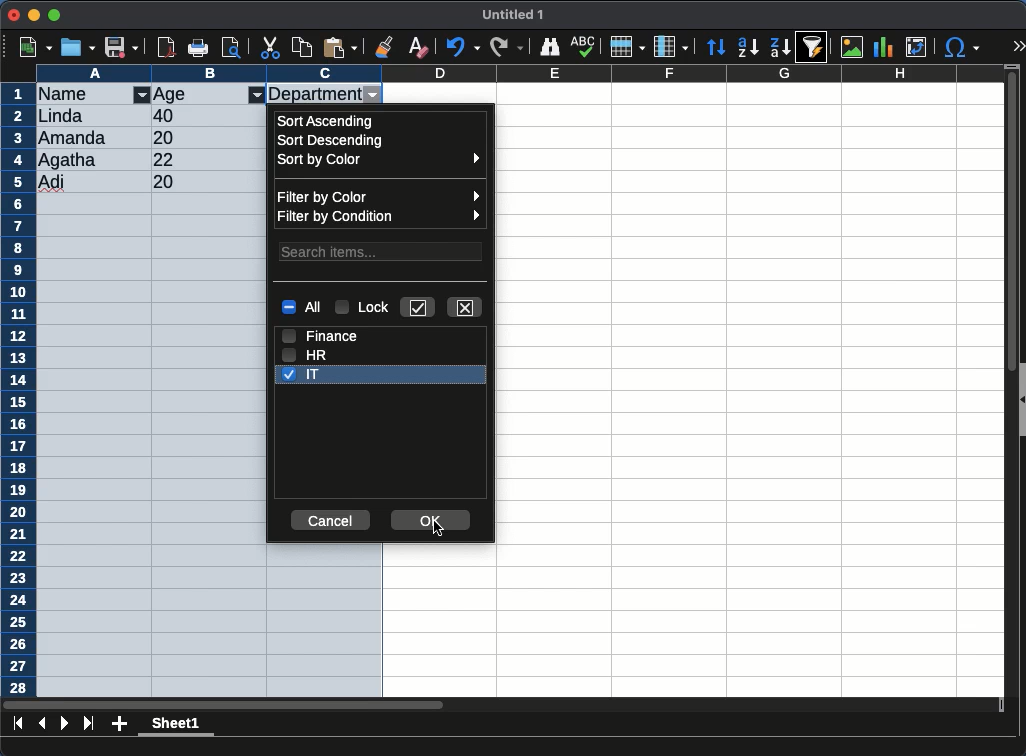 This screenshot has height=756, width=1026. What do you see at coordinates (365, 308) in the screenshot?
I see `lock` at bounding box center [365, 308].